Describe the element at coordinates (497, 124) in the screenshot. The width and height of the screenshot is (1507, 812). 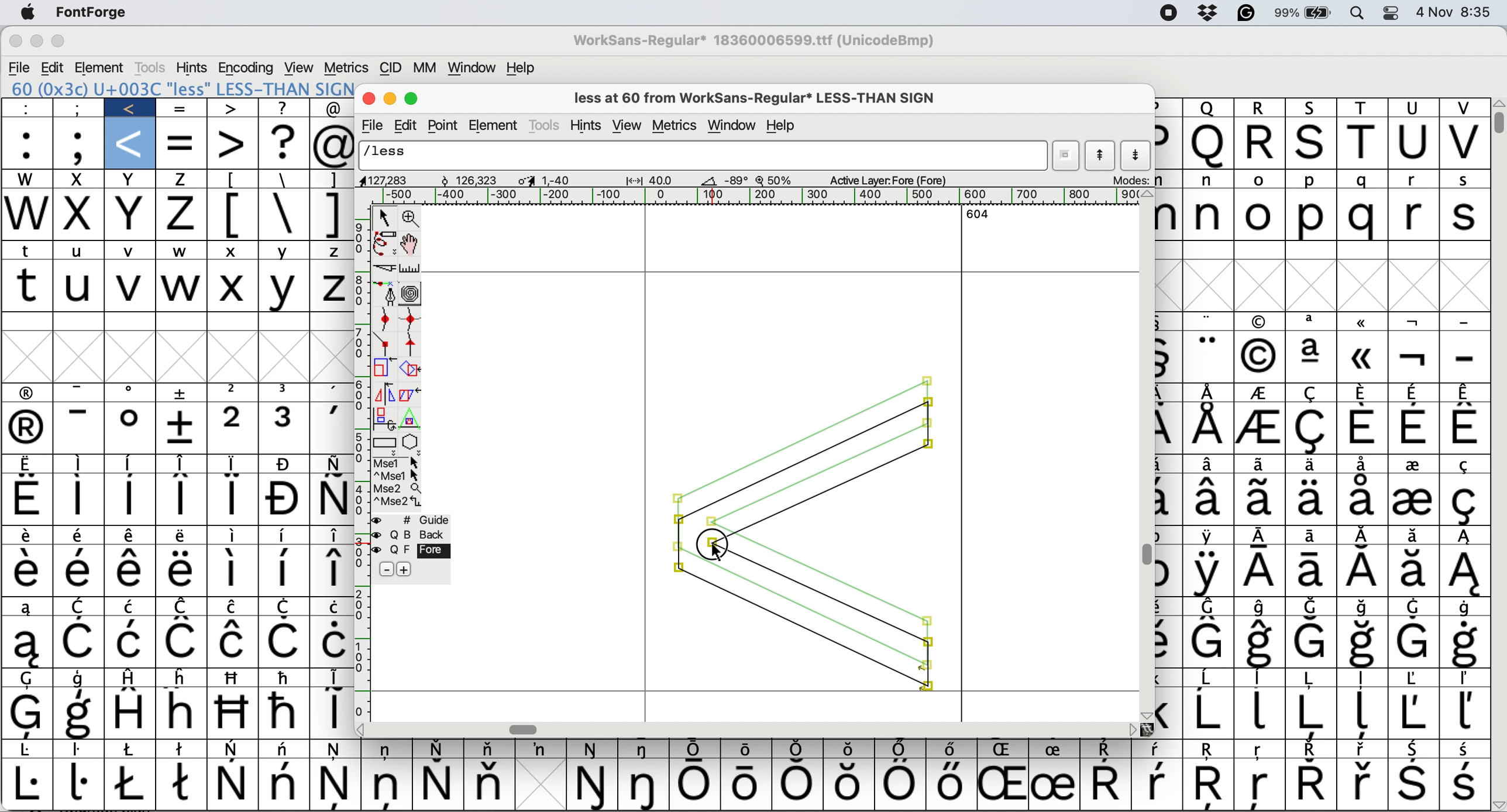
I see `element` at that location.